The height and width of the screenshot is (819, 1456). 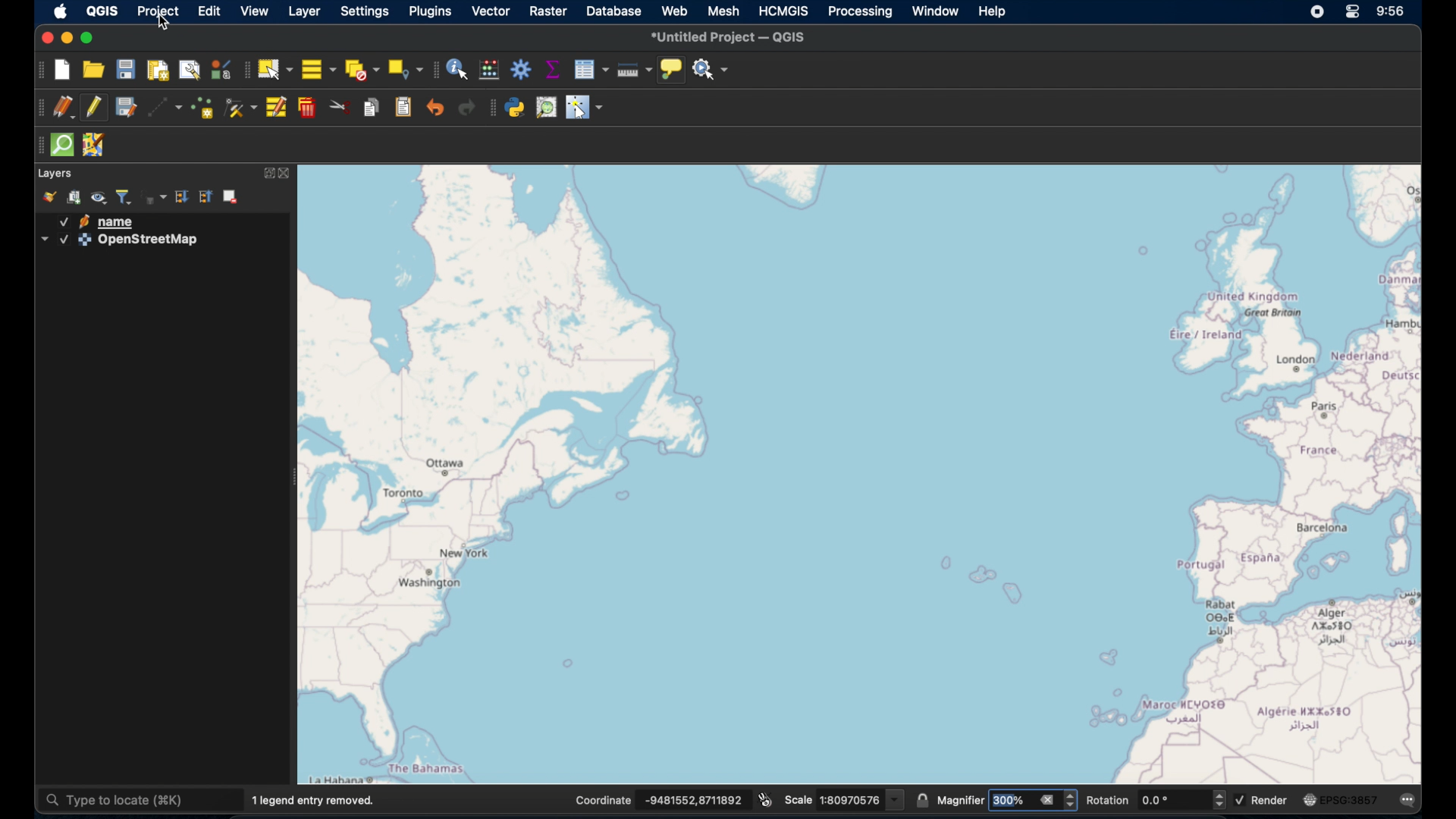 What do you see at coordinates (515, 109) in the screenshot?
I see `python console` at bounding box center [515, 109].